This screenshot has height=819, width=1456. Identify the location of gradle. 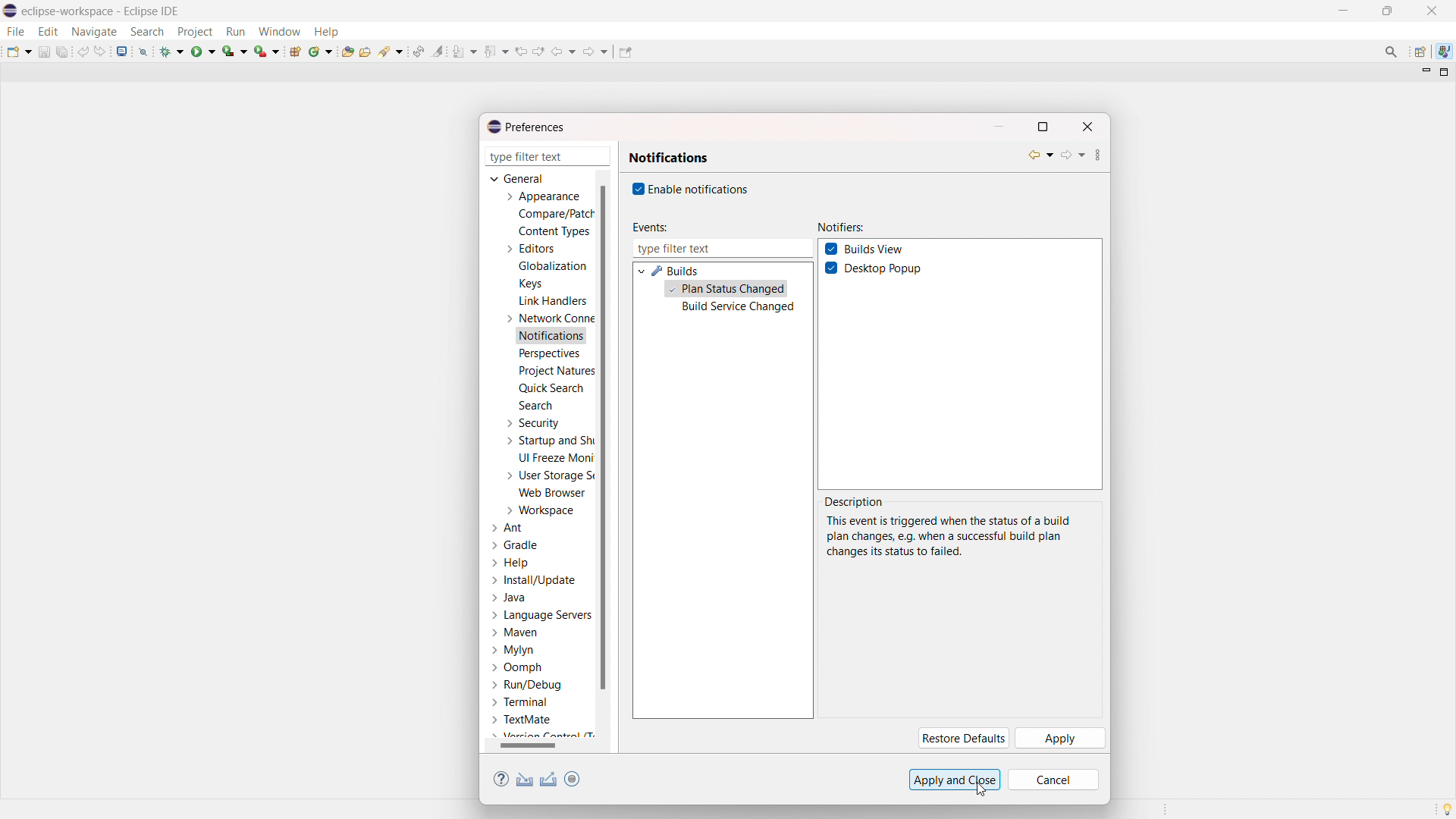
(516, 545).